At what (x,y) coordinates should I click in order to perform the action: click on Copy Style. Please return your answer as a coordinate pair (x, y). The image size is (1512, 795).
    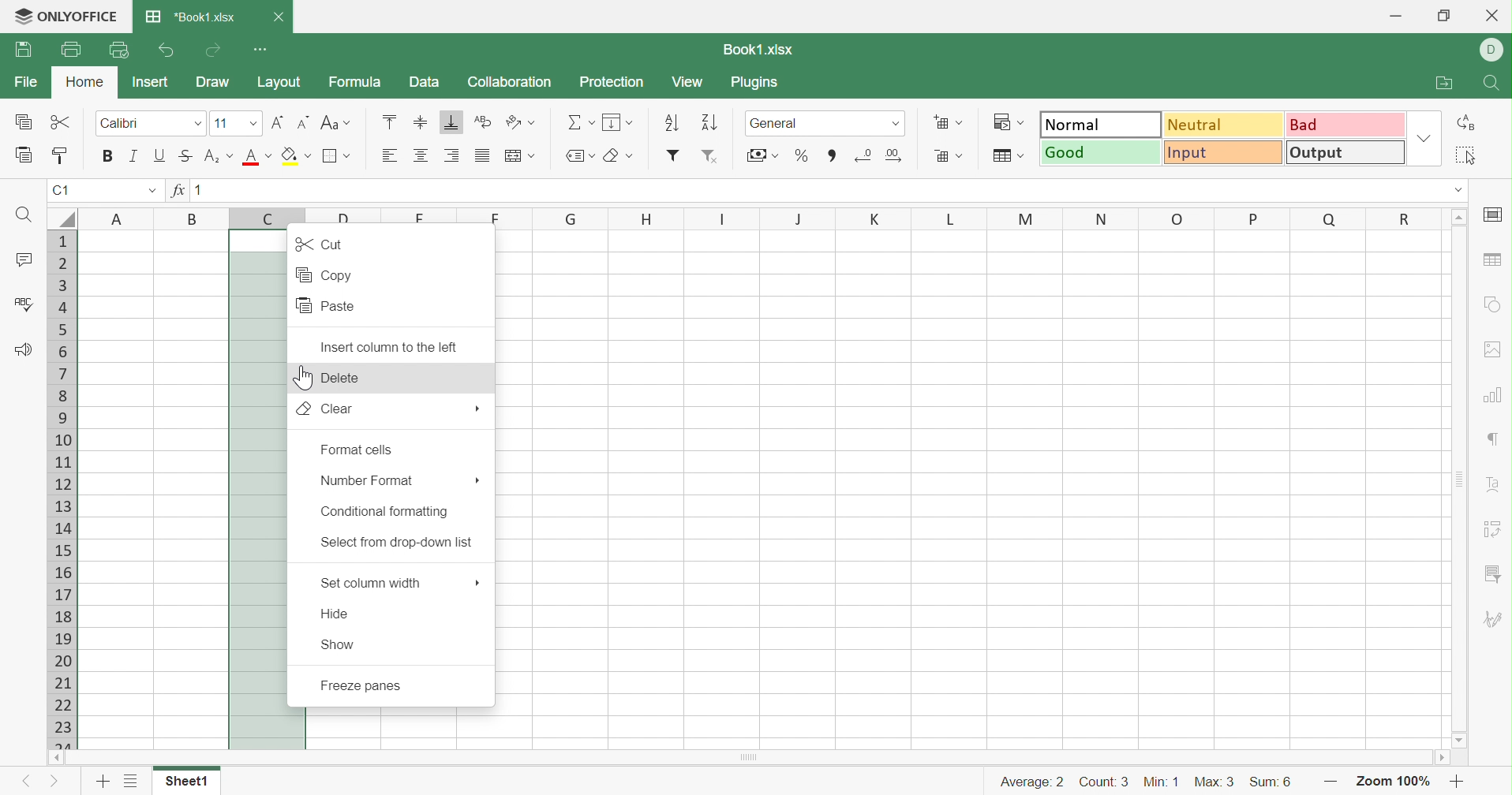
    Looking at the image, I should click on (62, 155).